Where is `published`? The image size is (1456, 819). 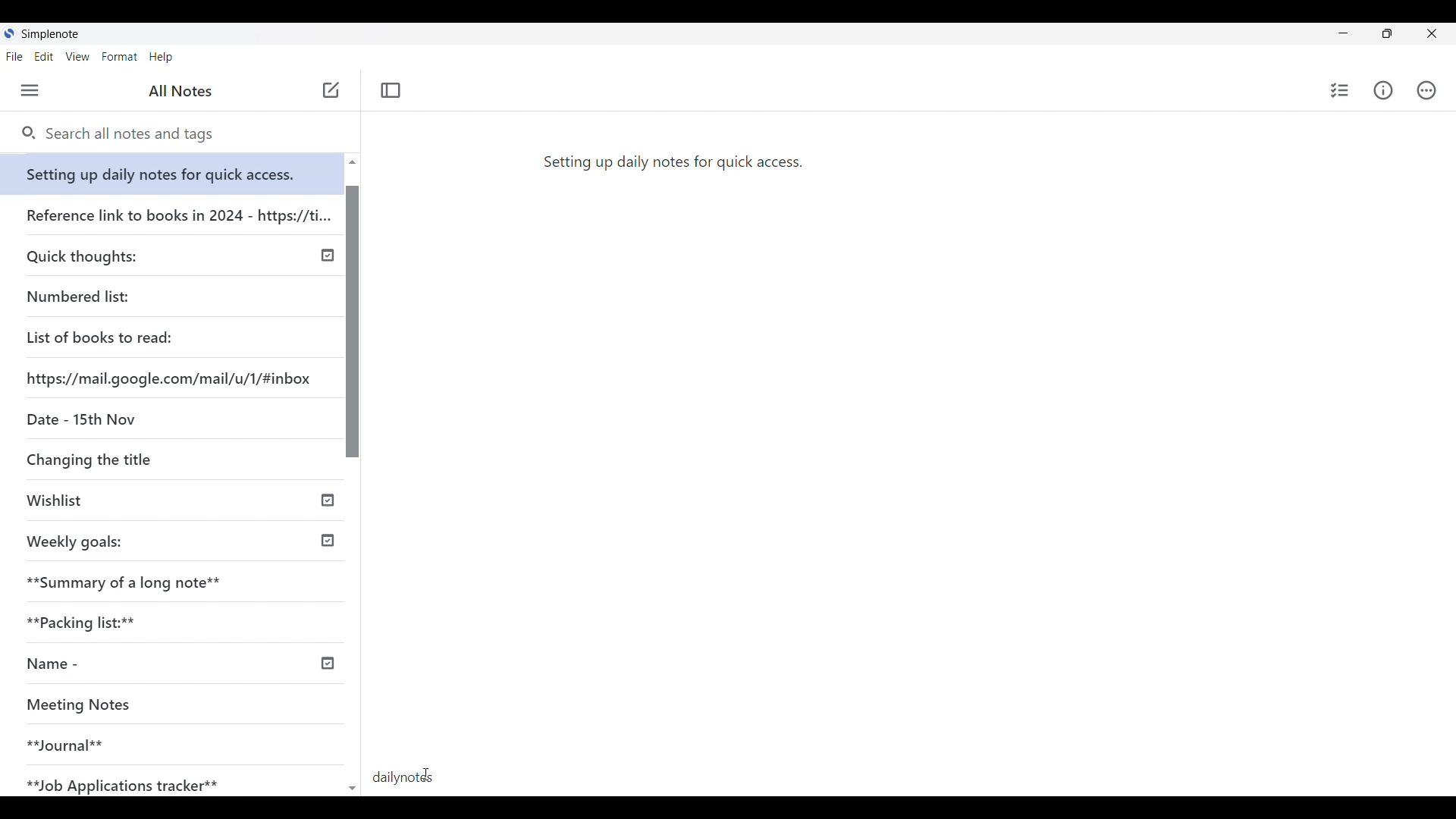 published is located at coordinates (328, 502).